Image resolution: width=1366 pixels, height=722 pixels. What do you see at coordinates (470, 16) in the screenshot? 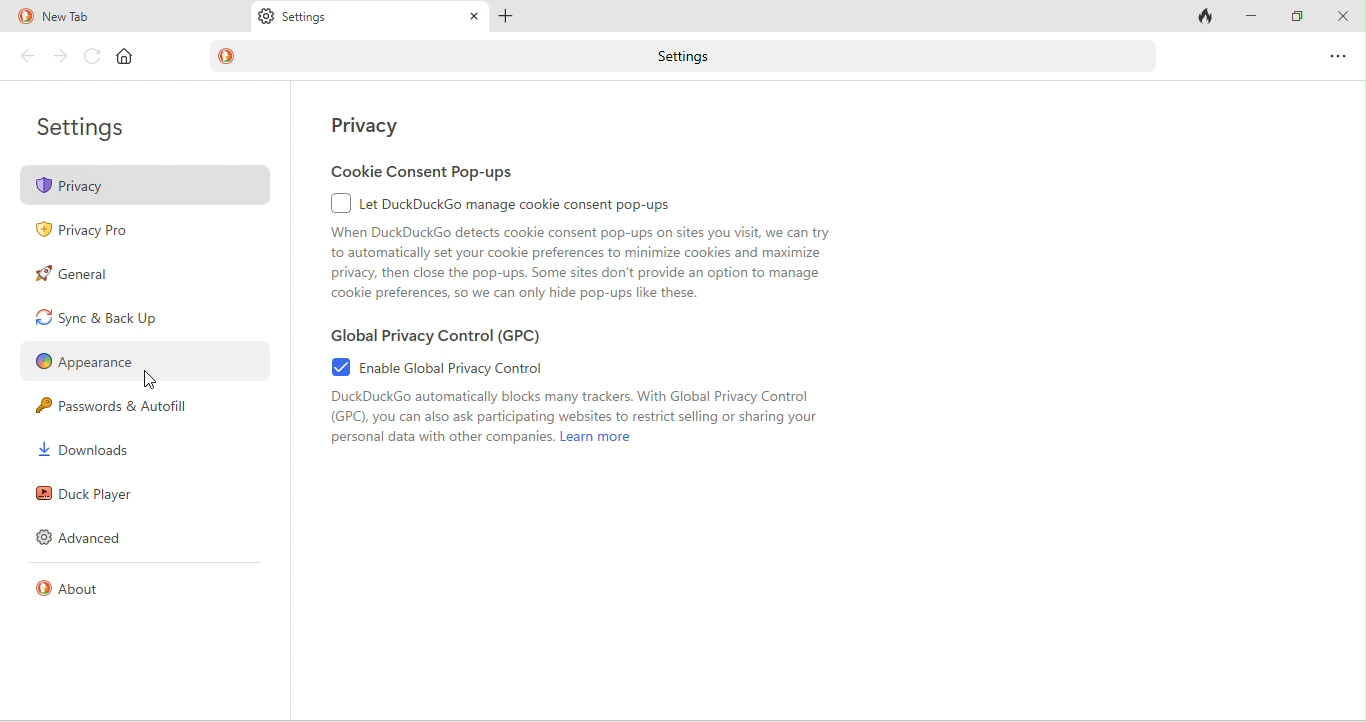
I see `close` at bounding box center [470, 16].